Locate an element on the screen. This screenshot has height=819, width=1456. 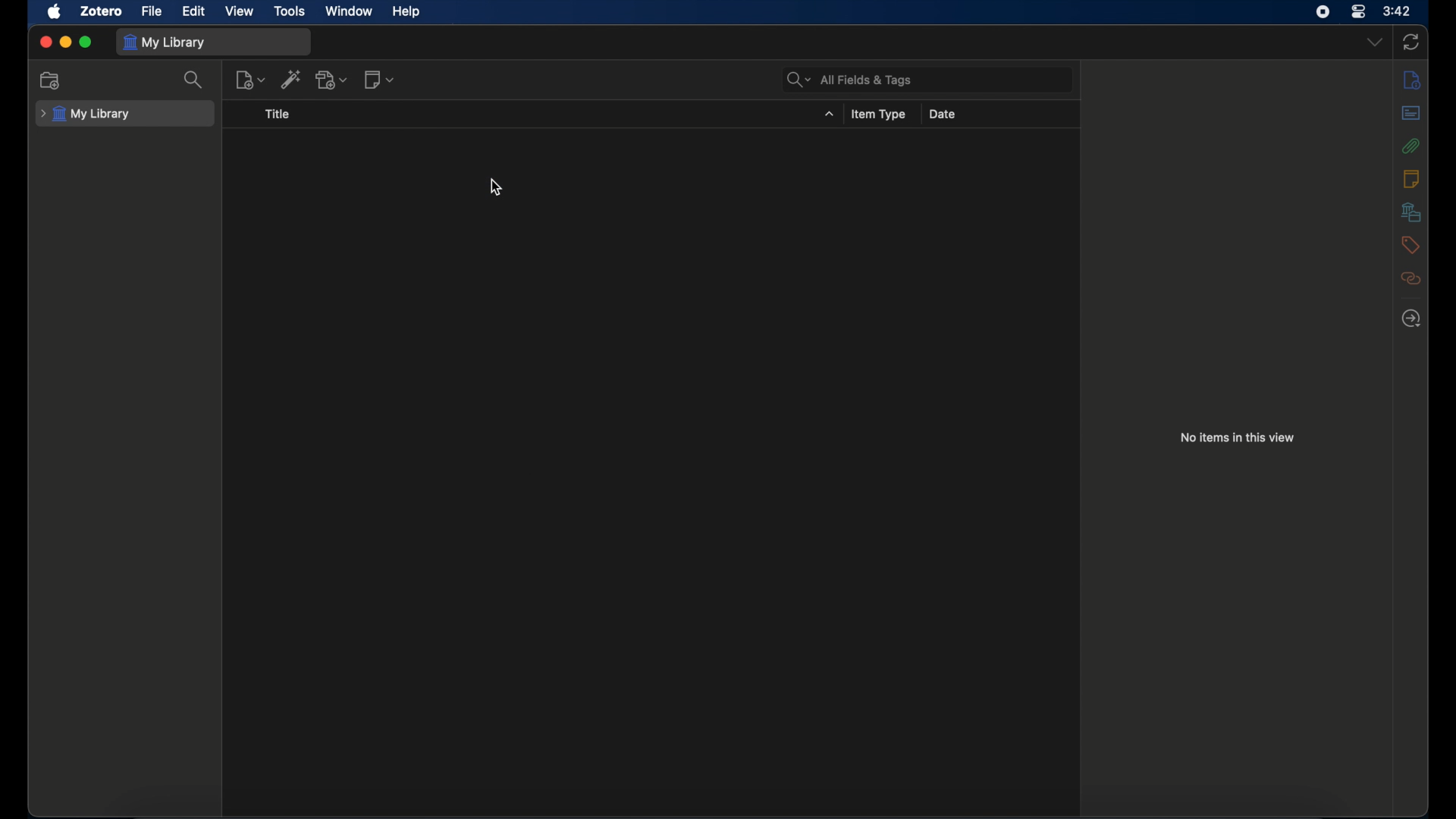
apple icon is located at coordinates (55, 12).